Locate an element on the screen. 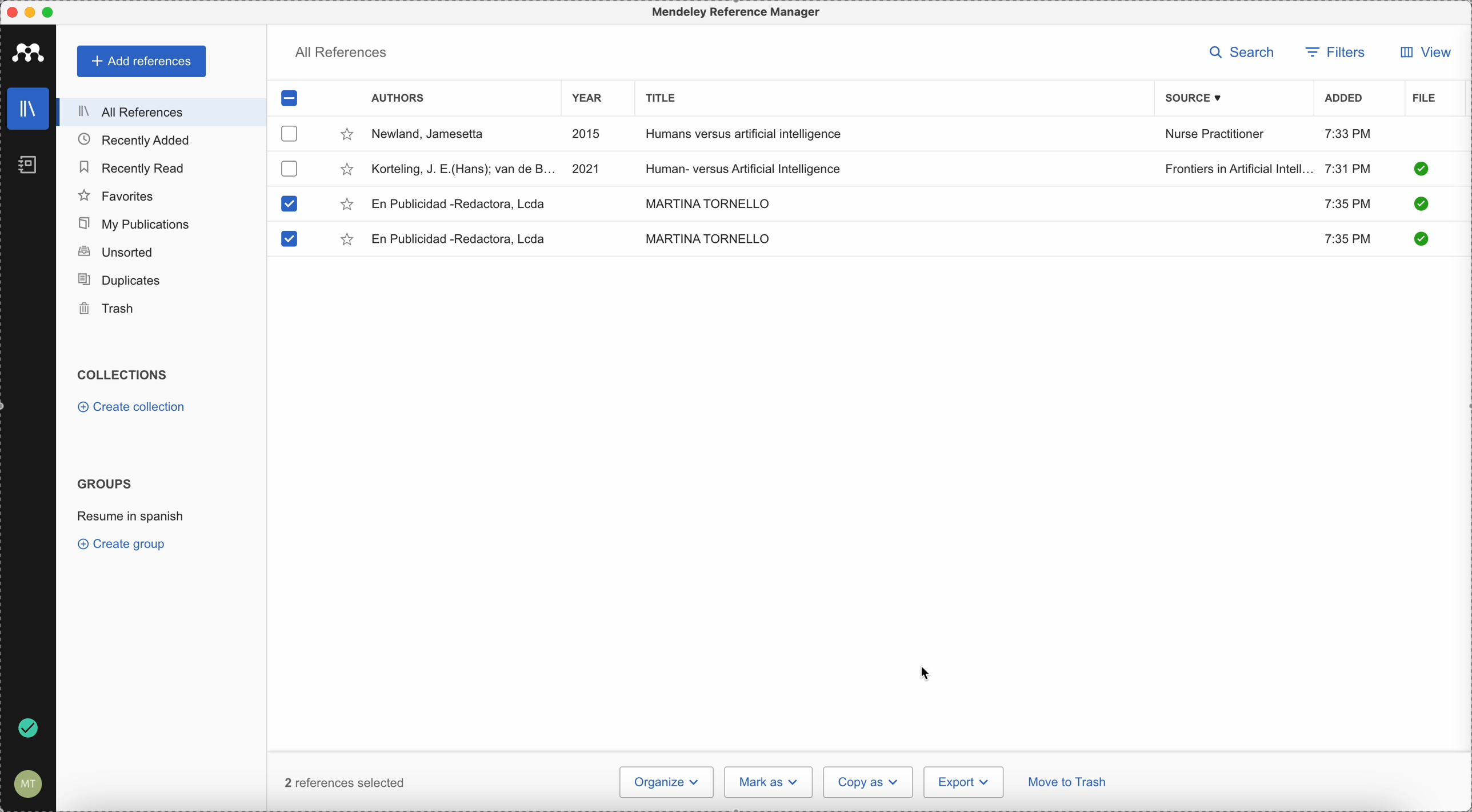 Image resolution: width=1472 pixels, height=812 pixels. En Publicidad-Redactora, Lcda is located at coordinates (463, 239).